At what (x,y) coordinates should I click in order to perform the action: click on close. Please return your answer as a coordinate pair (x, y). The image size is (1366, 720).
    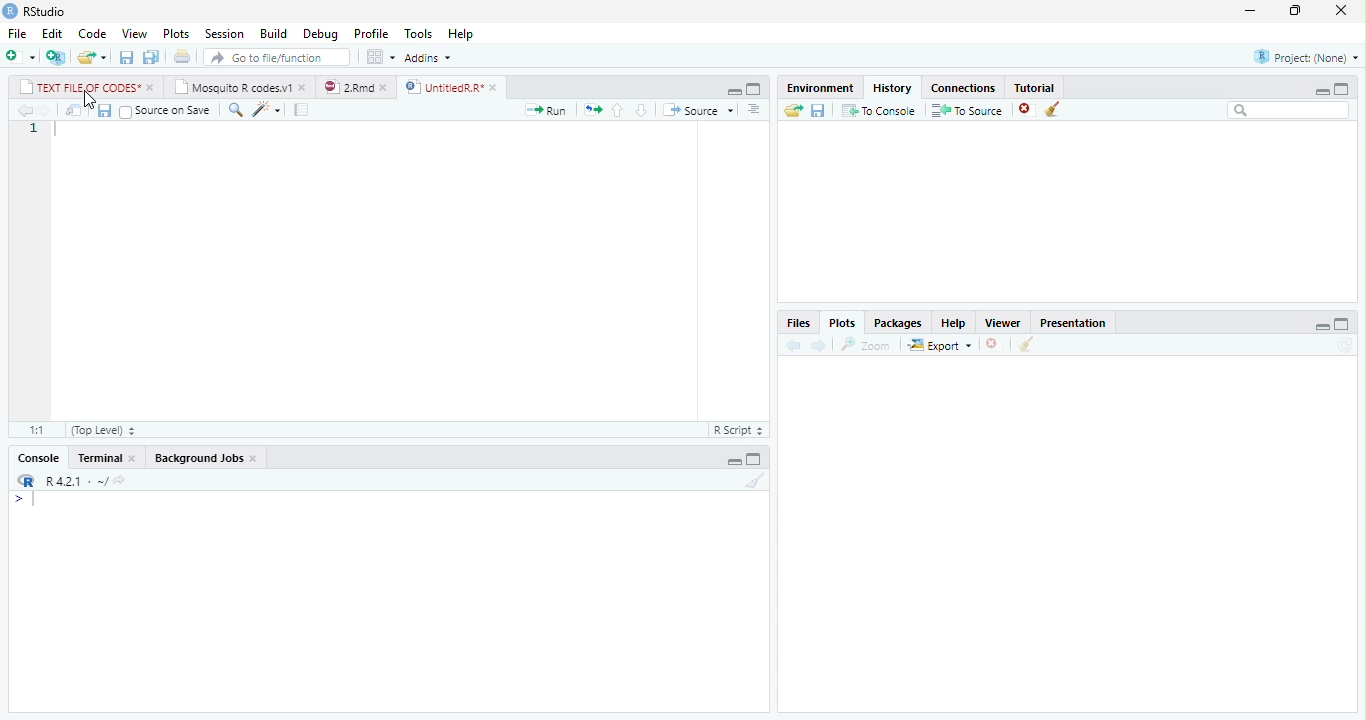
    Looking at the image, I should click on (256, 459).